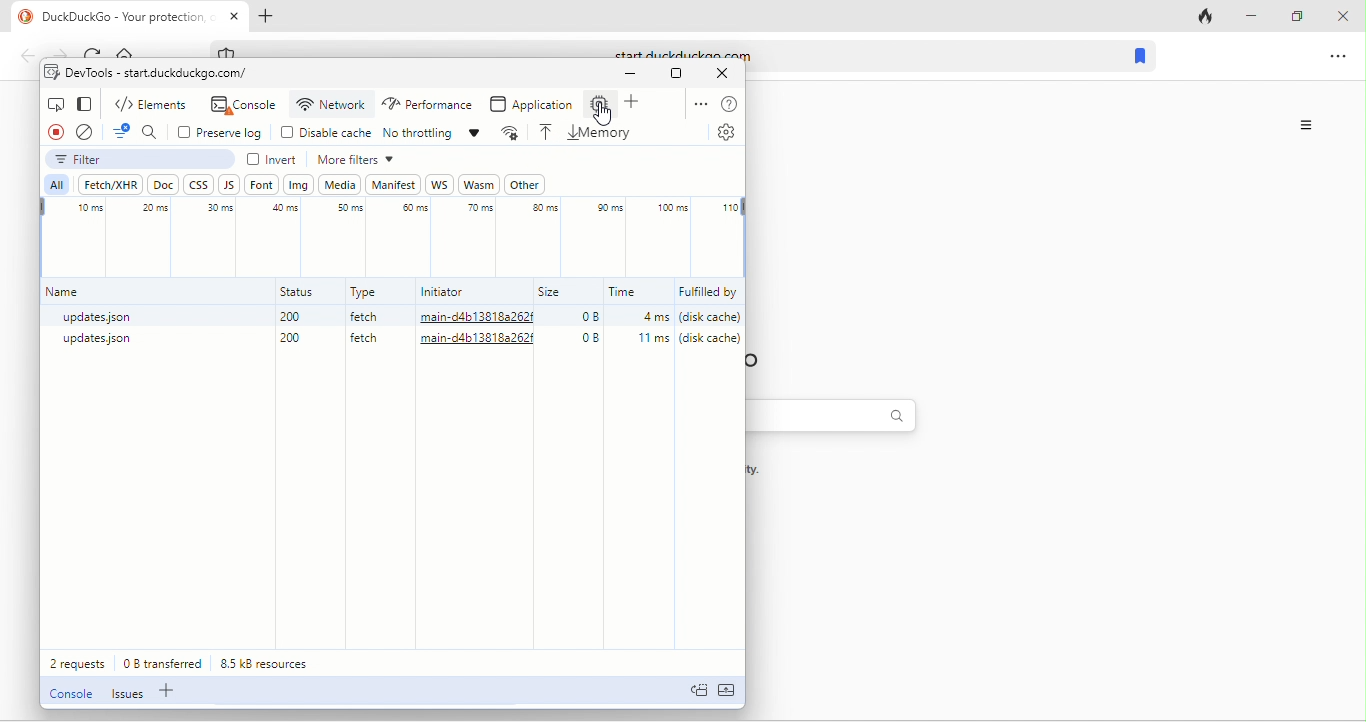 The height and width of the screenshot is (722, 1366). I want to click on 110, so click(721, 204).